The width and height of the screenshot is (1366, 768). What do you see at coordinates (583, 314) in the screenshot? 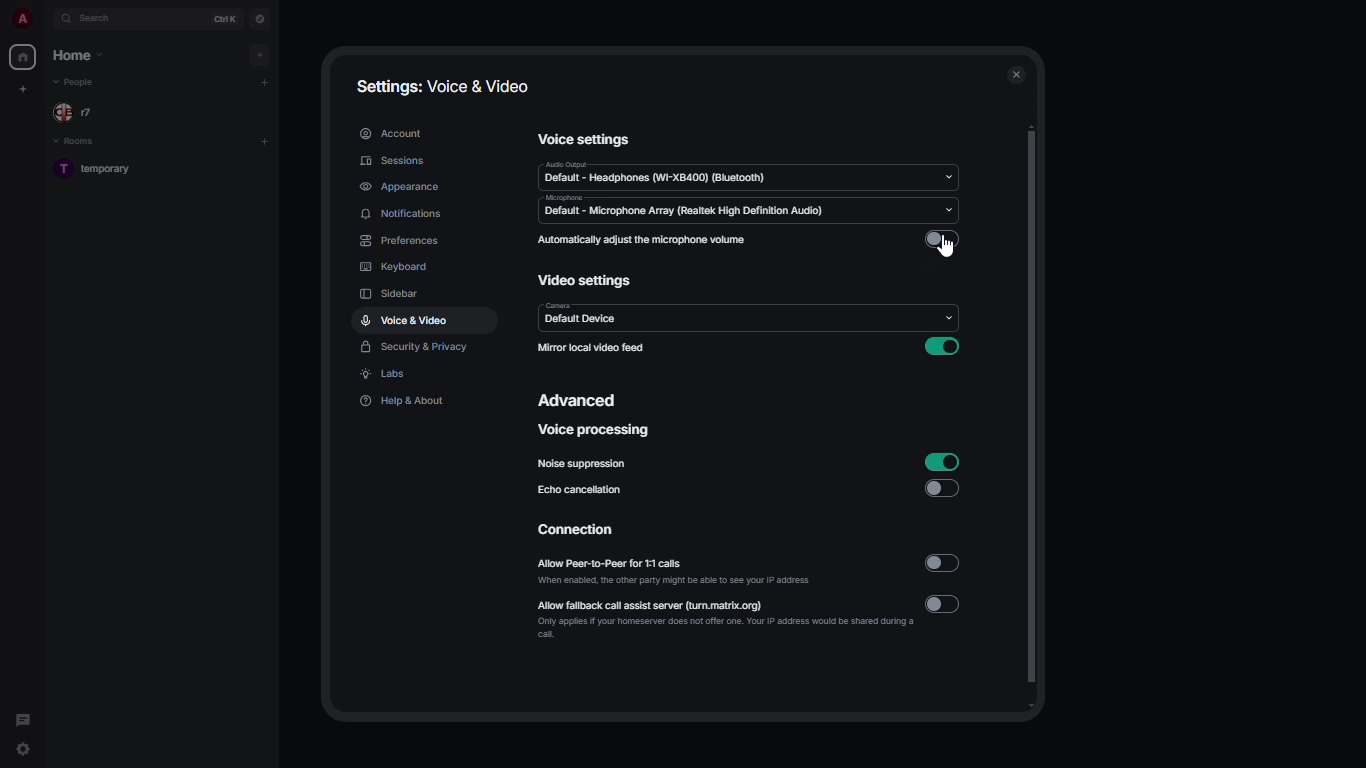
I see `camera default` at bounding box center [583, 314].